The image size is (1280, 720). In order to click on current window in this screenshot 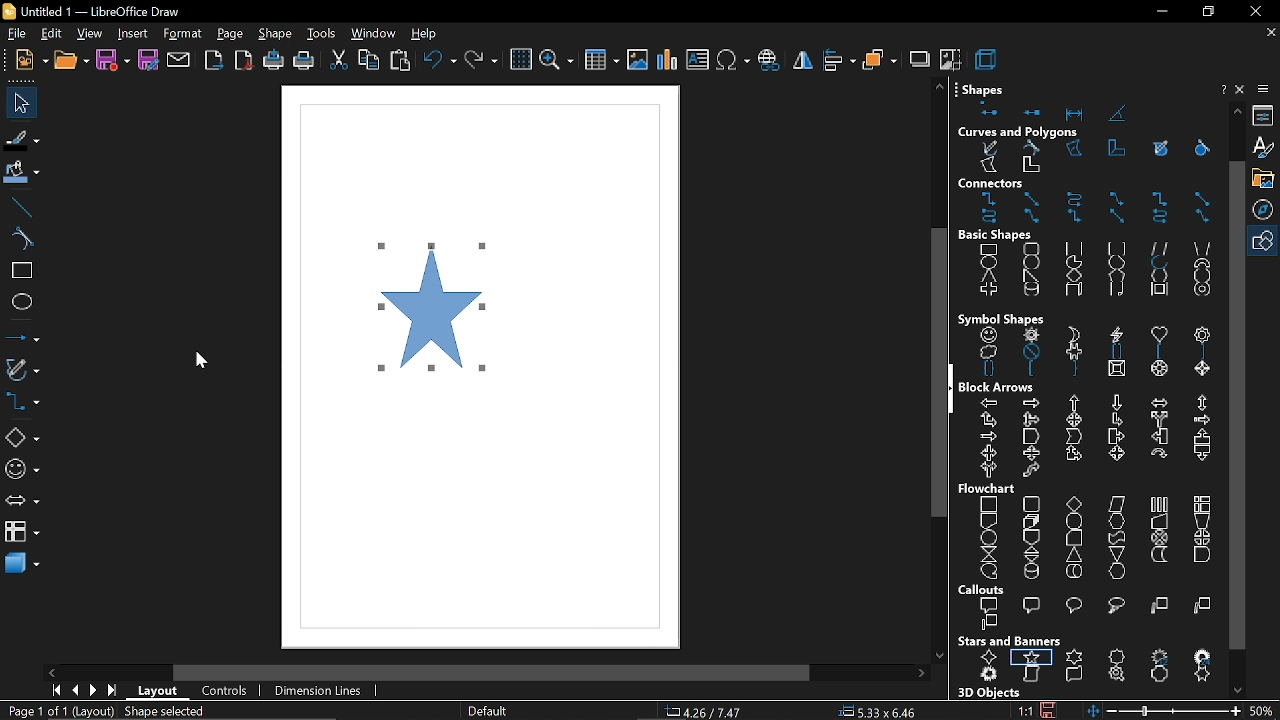, I will do `click(90, 11)`.